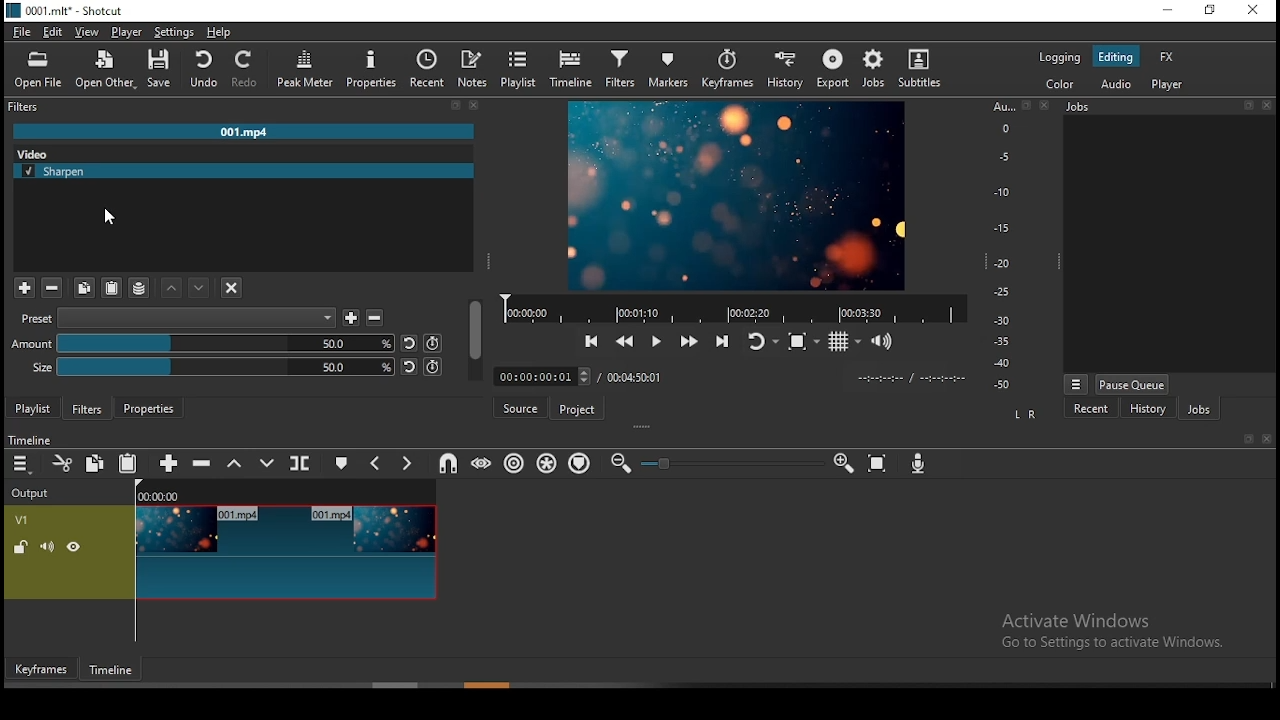 The height and width of the screenshot is (720, 1280). Describe the element at coordinates (627, 339) in the screenshot. I see `play quickly backward` at that location.